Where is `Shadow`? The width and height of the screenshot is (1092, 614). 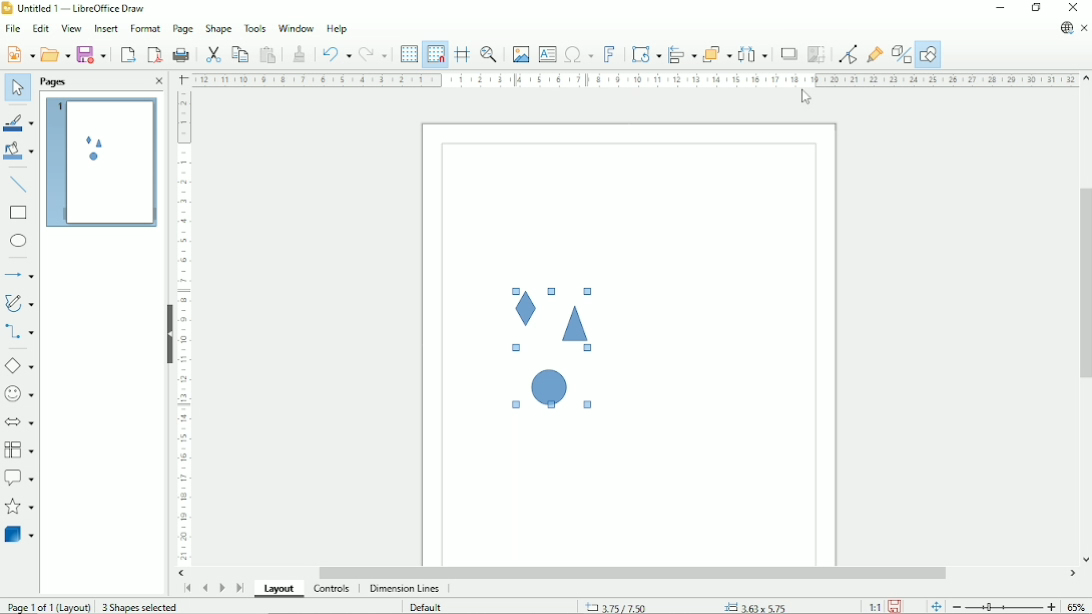 Shadow is located at coordinates (789, 54).